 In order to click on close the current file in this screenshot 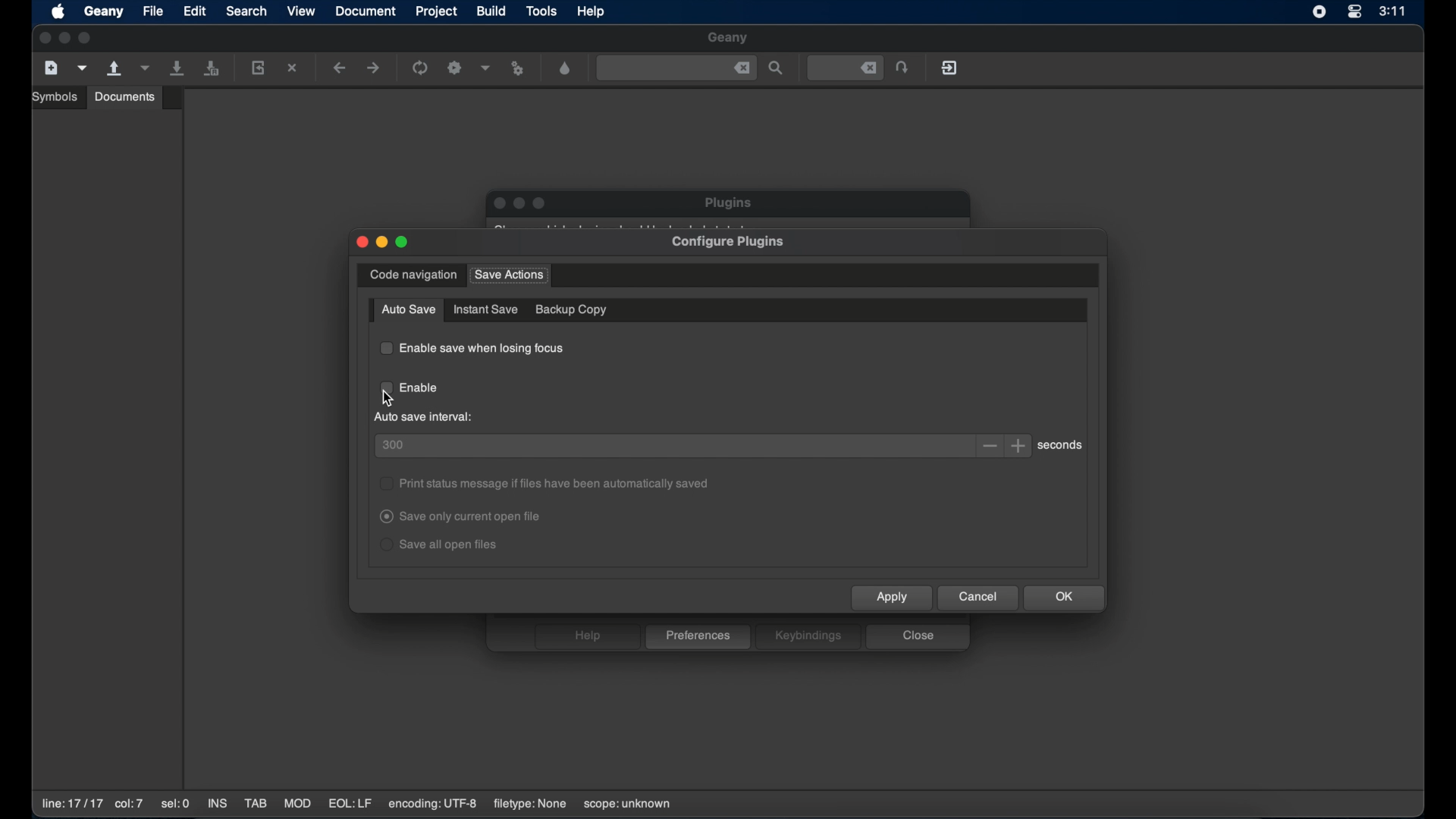, I will do `click(293, 69)`.